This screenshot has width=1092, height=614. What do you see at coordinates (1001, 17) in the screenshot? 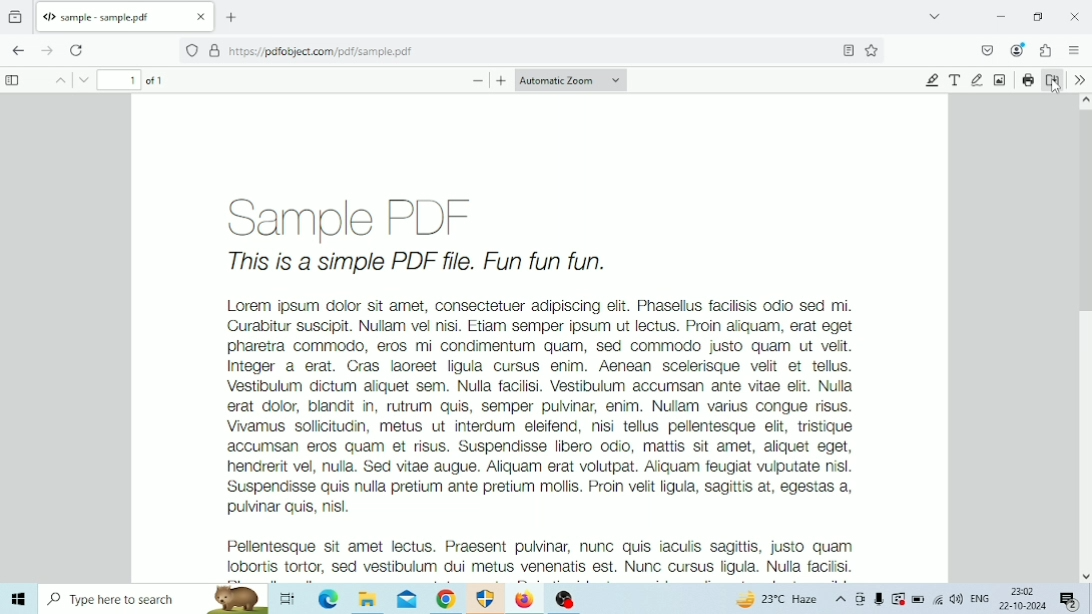
I see `Minimize` at bounding box center [1001, 17].